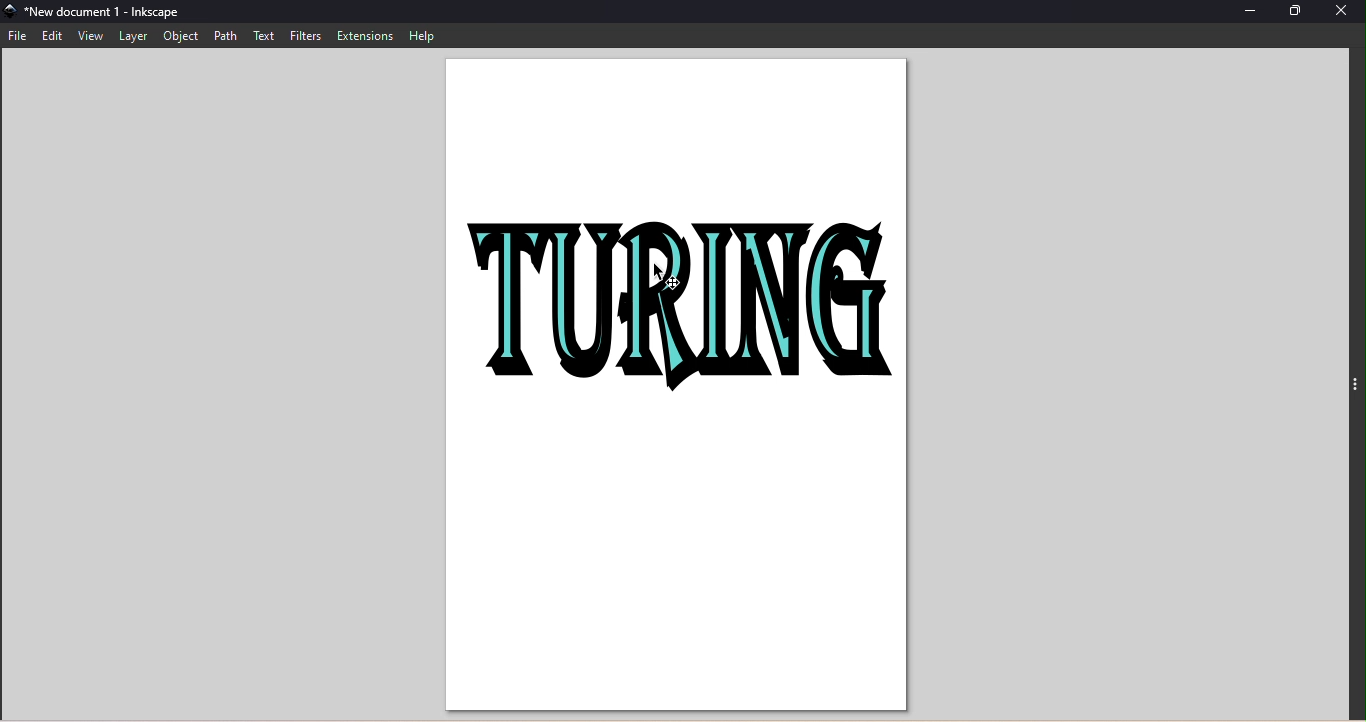 The height and width of the screenshot is (722, 1366). Describe the element at coordinates (222, 36) in the screenshot. I see `Path` at that location.